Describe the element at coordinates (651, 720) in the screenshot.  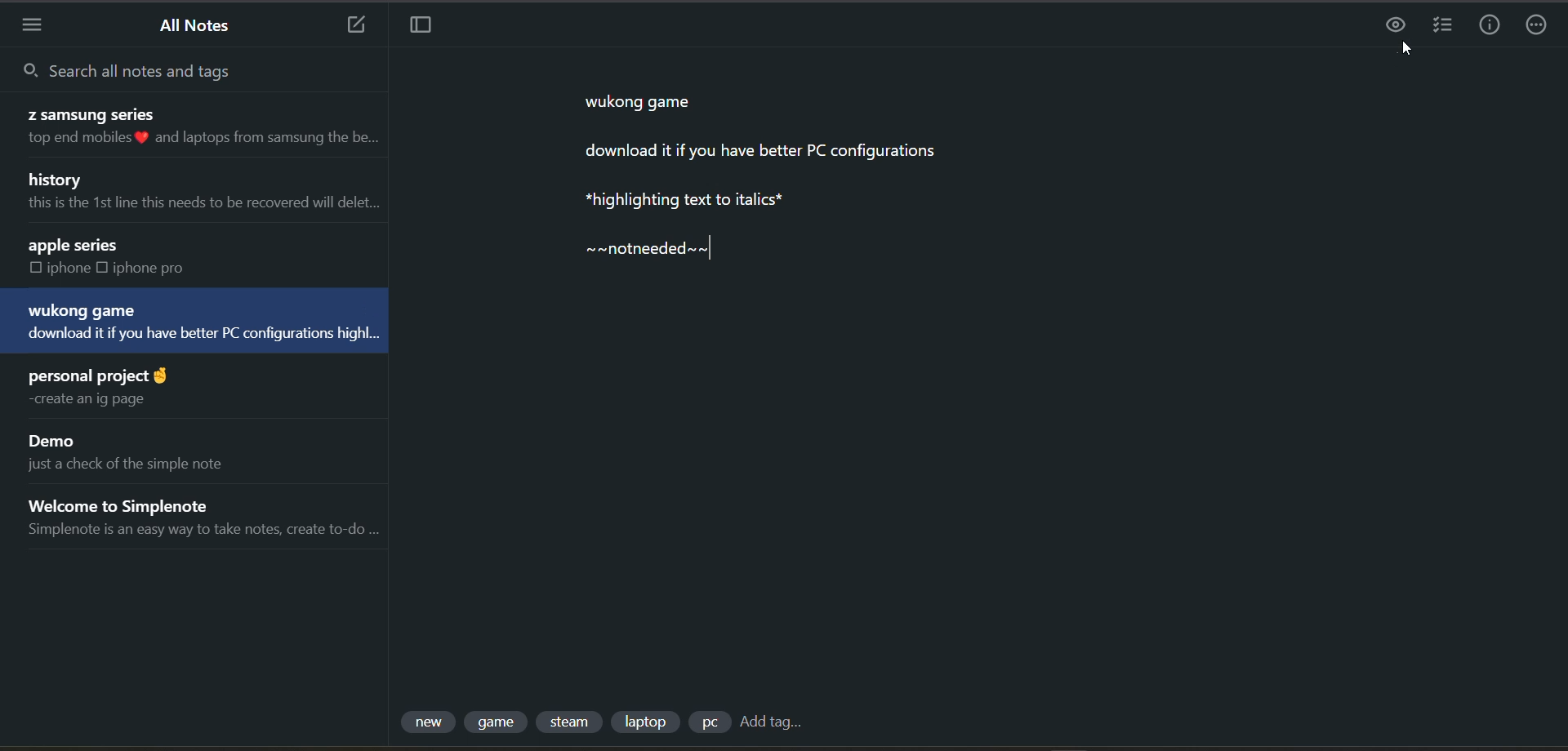
I see `tag 4` at that location.